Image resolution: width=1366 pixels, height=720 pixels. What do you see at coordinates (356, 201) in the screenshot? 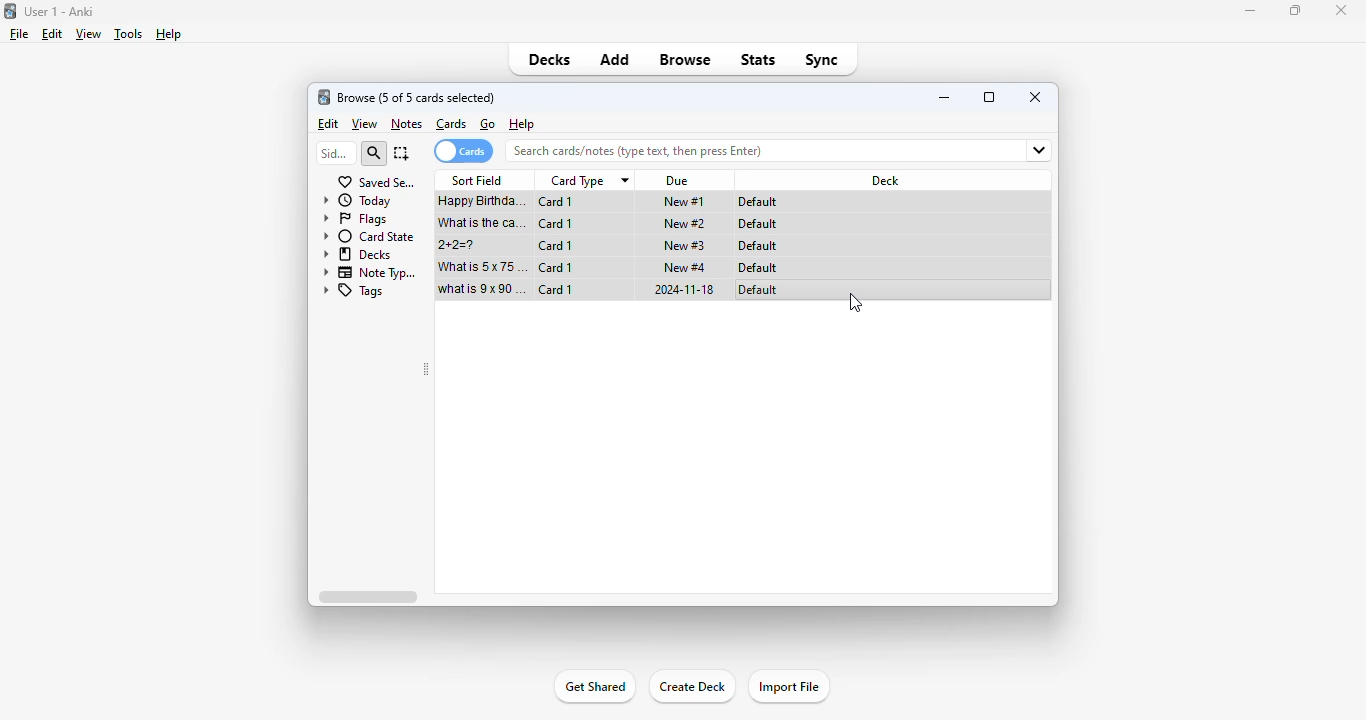
I see `today` at bounding box center [356, 201].